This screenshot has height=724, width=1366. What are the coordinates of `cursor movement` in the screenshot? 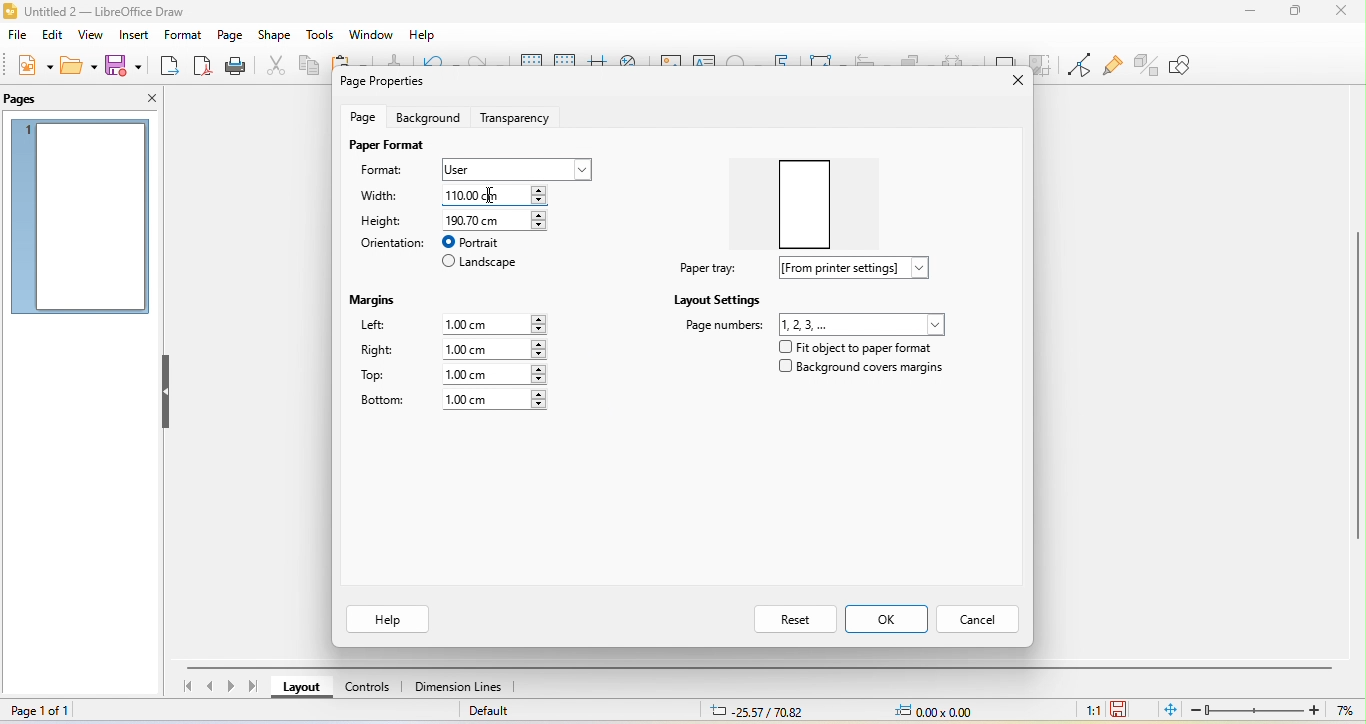 It's located at (491, 194).